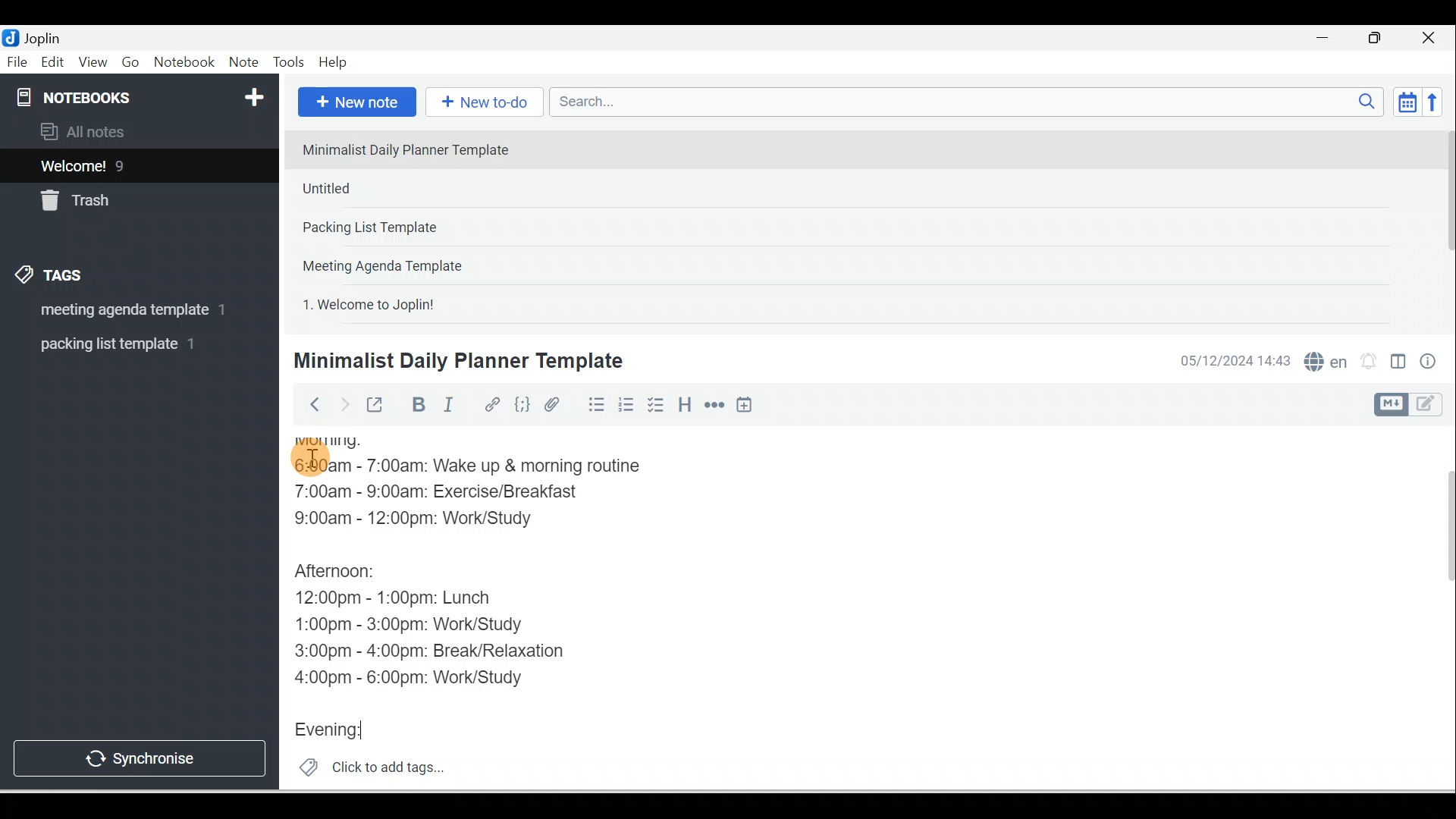  What do you see at coordinates (334, 63) in the screenshot?
I see `Help` at bounding box center [334, 63].